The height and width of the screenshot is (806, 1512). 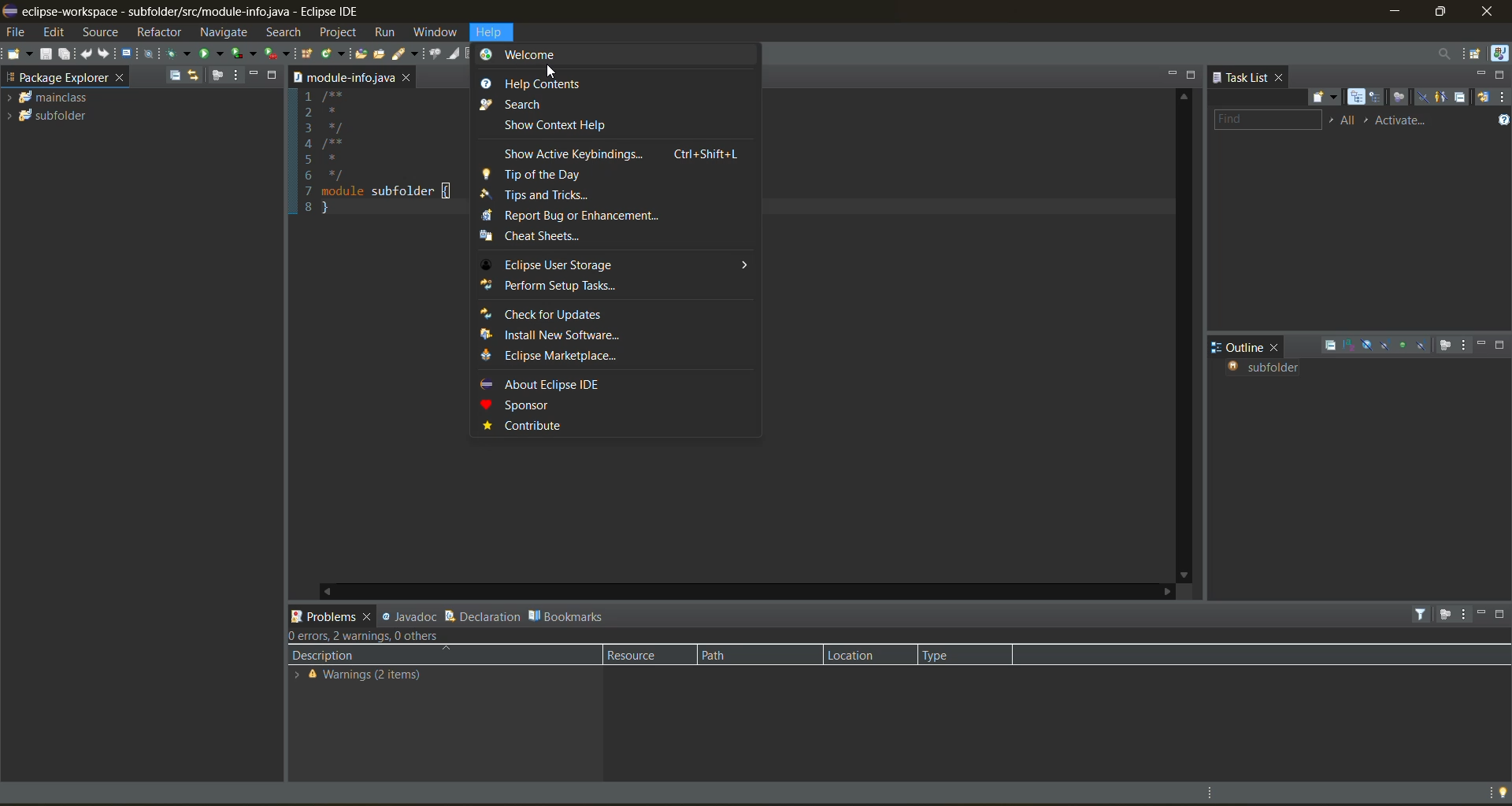 What do you see at coordinates (1481, 75) in the screenshot?
I see `minimize` at bounding box center [1481, 75].